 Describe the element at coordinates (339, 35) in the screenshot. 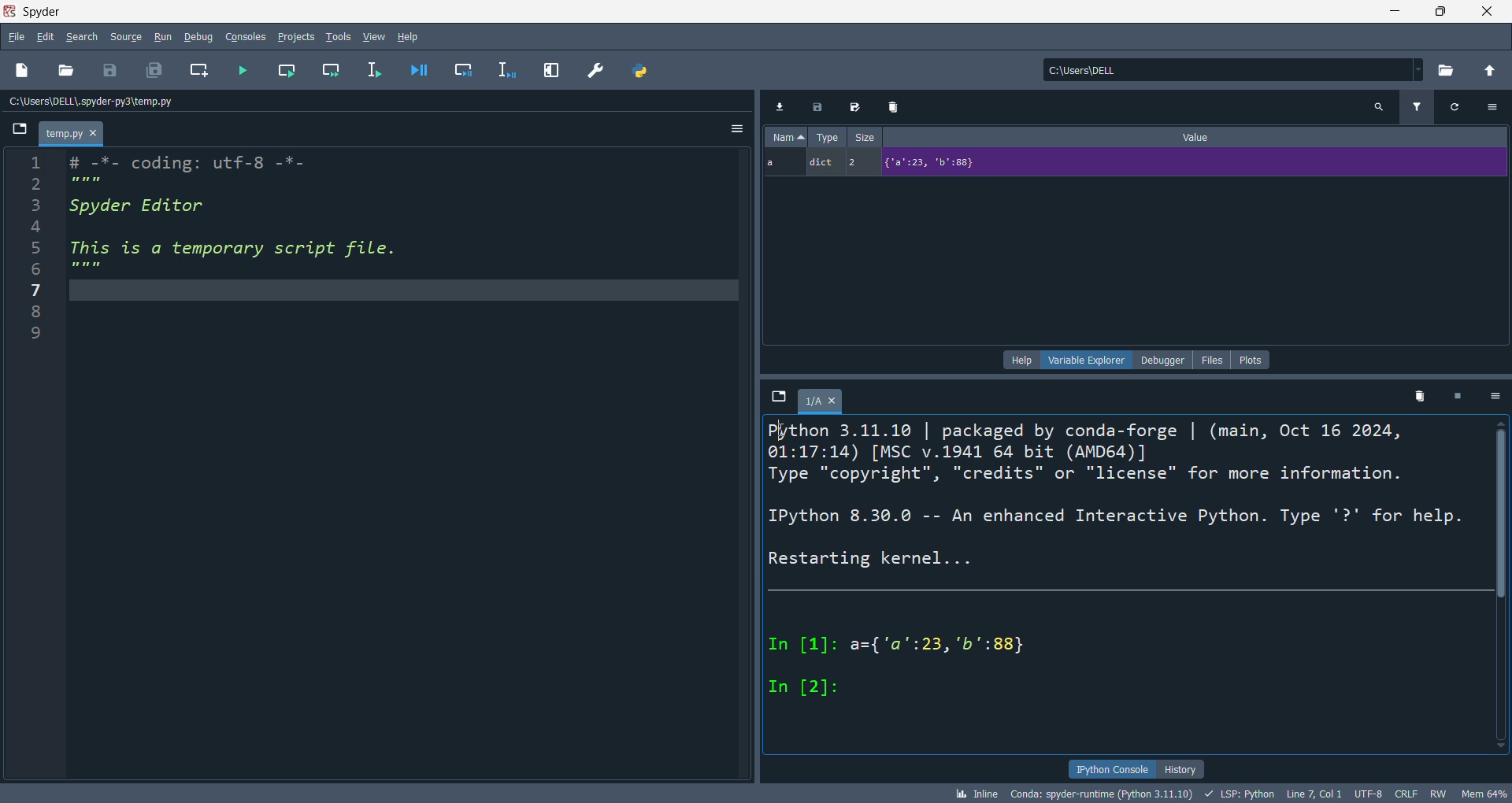

I see `tools` at that location.